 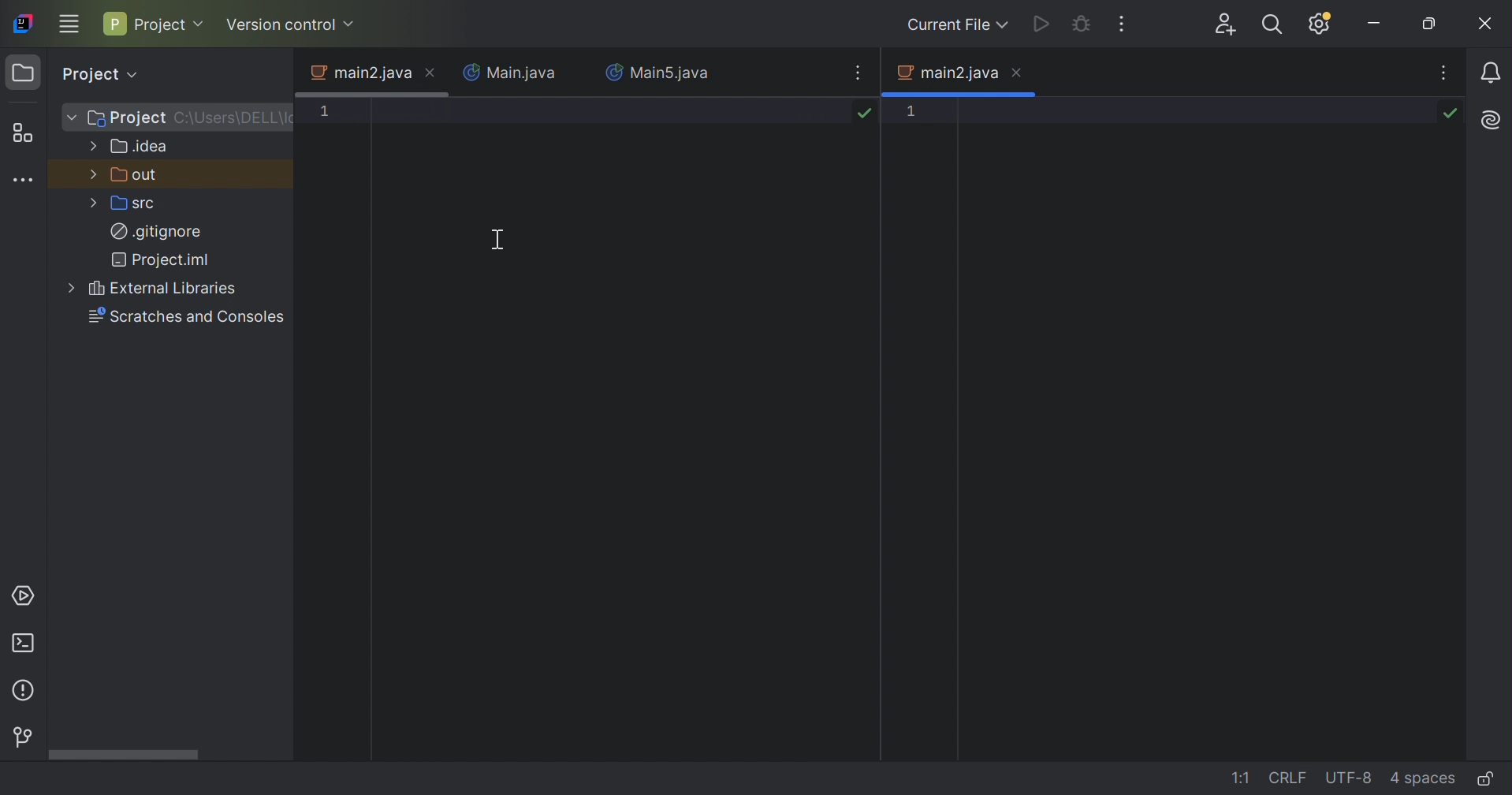 I want to click on More, so click(x=71, y=118).